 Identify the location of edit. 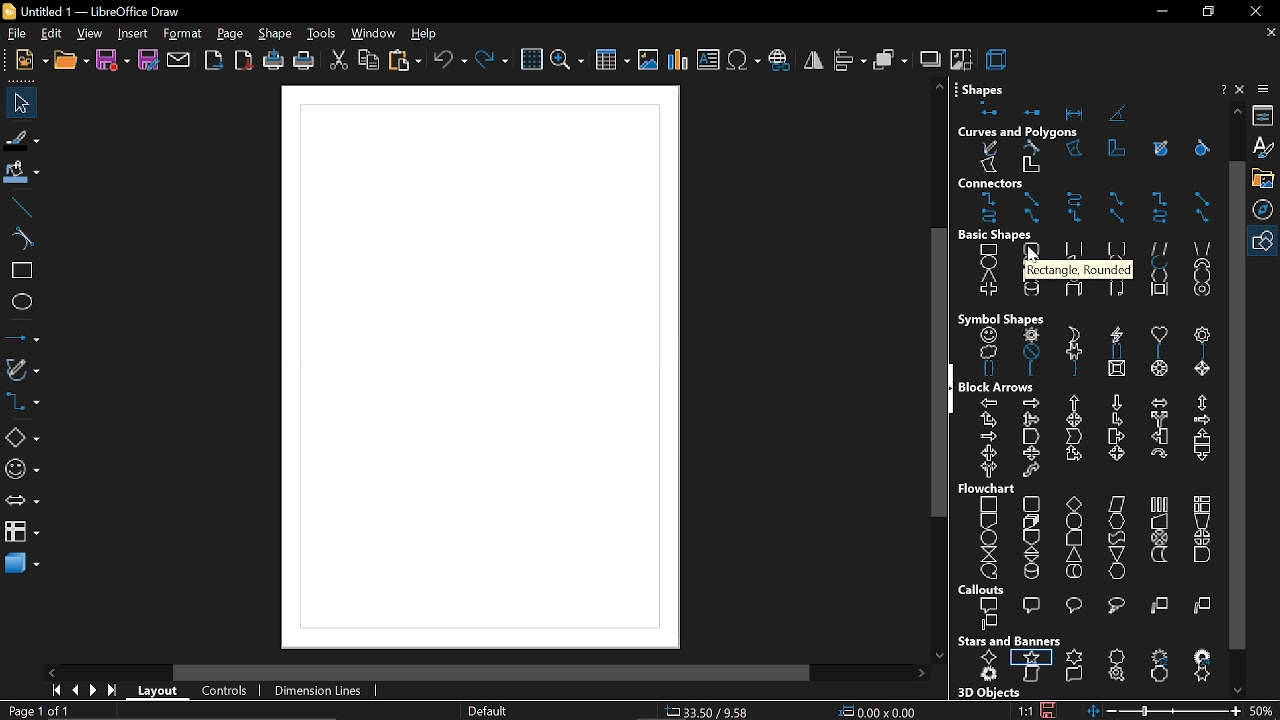
(51, 35).